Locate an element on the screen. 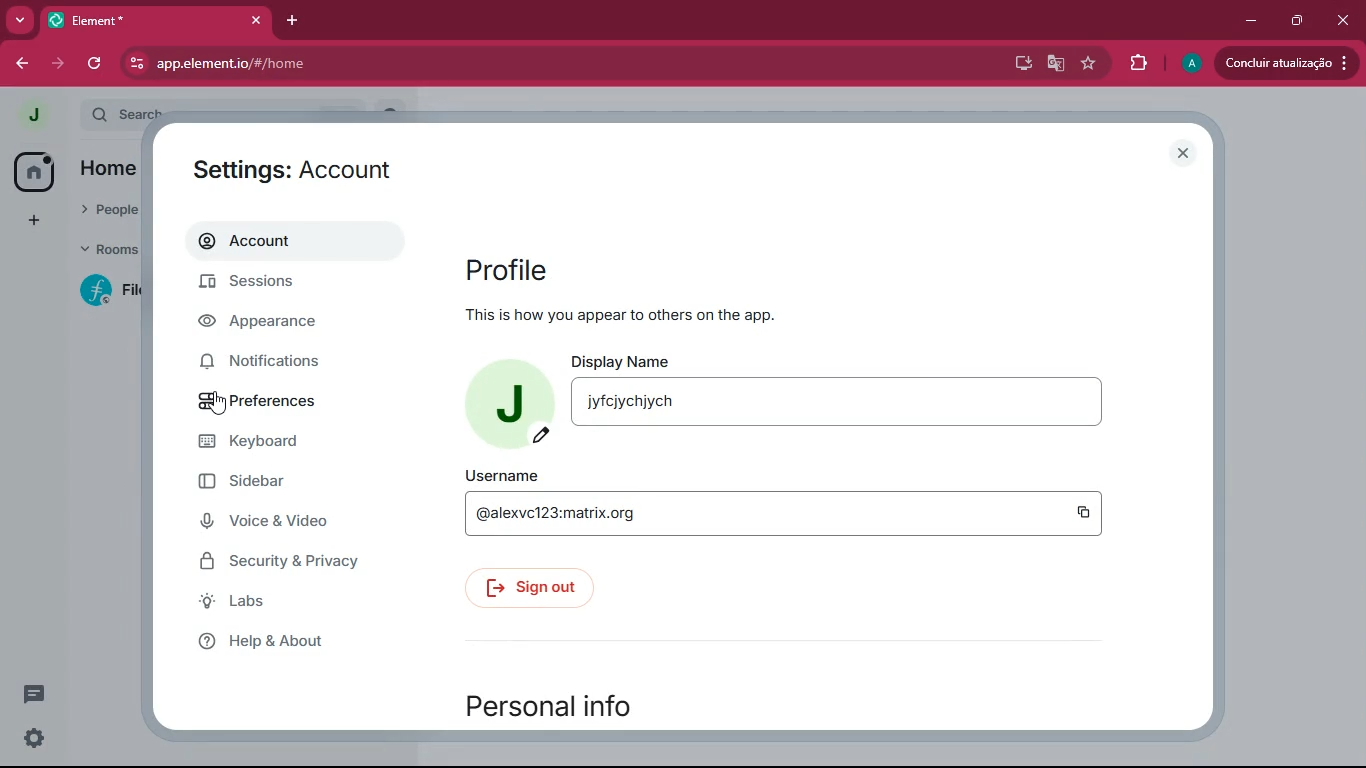 The height and width of the screenshot is (768, 1366). forward is located at coordinates (58, 66).